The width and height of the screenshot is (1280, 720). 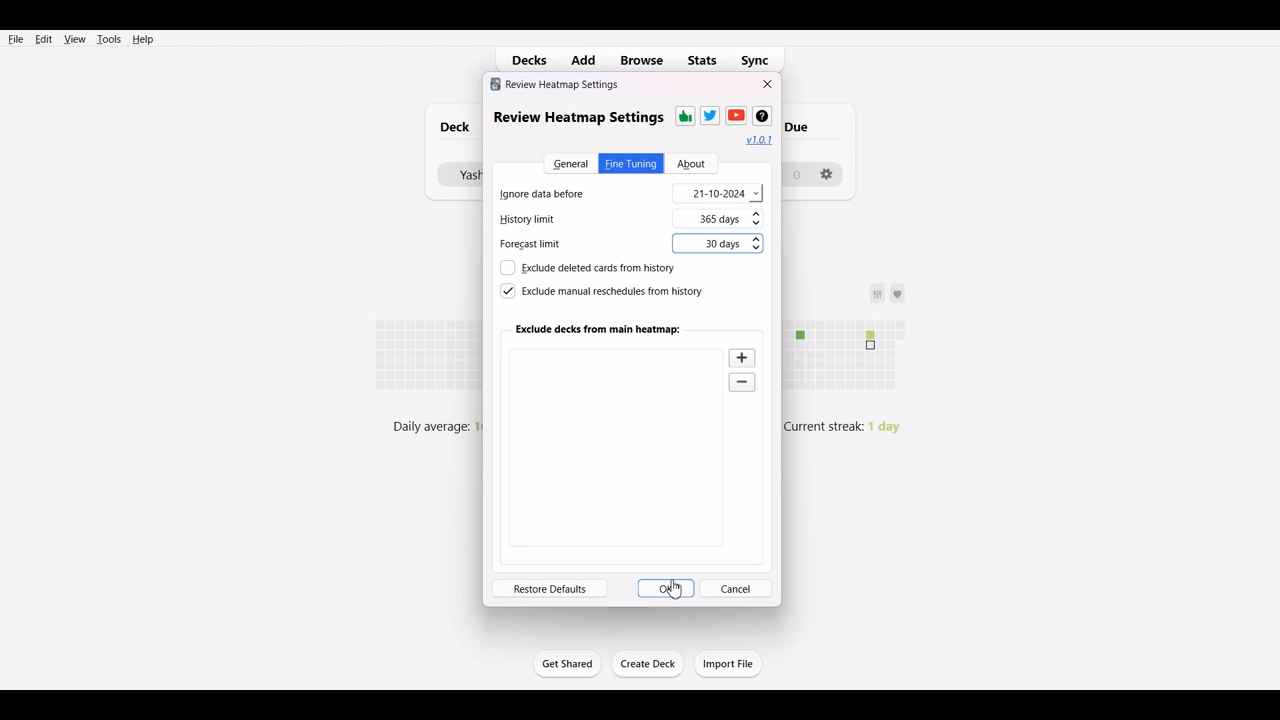 I want to click on Fine Tuning, so click(x=631, y=163).